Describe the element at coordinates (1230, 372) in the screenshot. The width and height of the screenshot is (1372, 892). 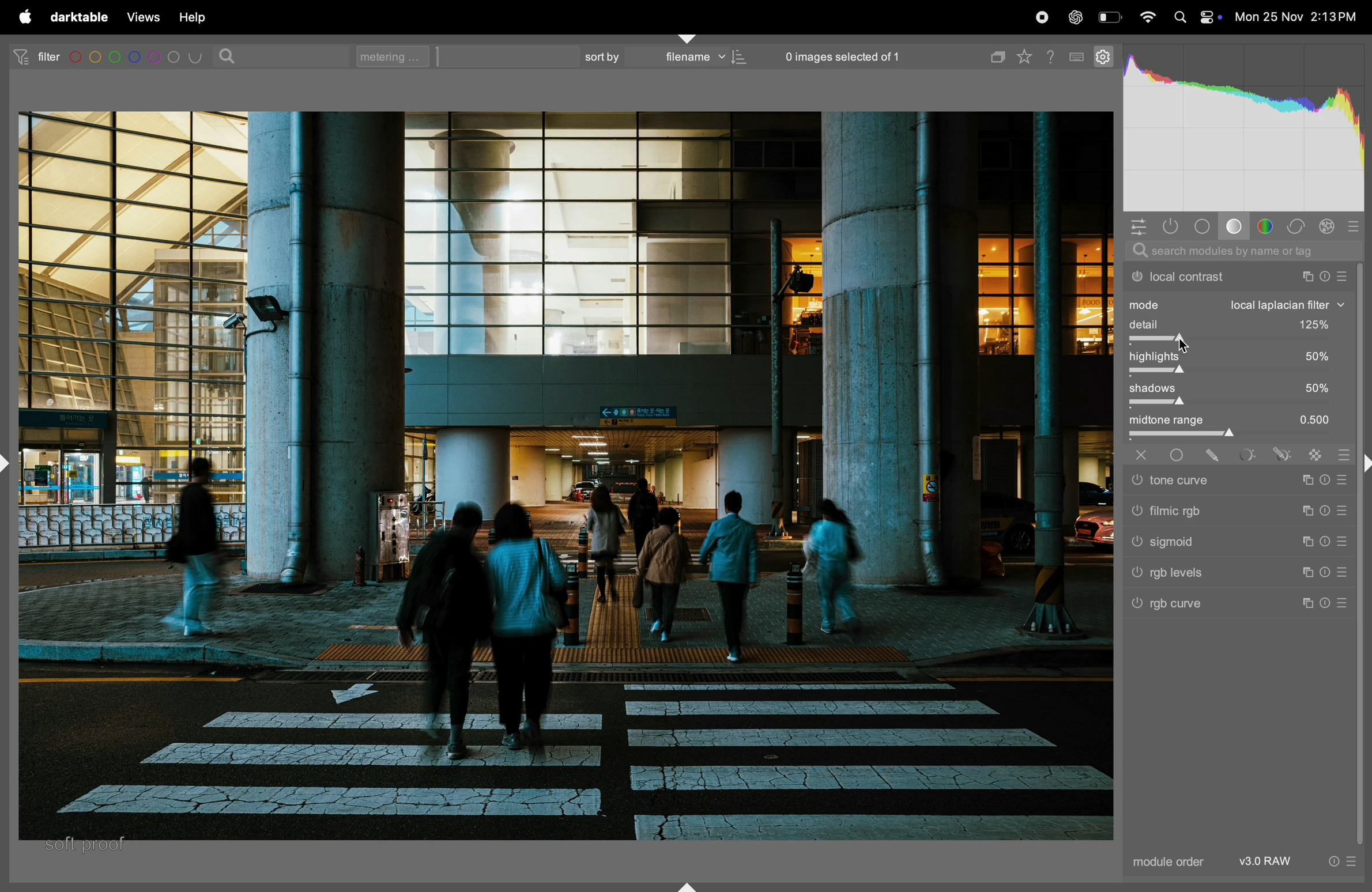
I see `toggle` at that location.